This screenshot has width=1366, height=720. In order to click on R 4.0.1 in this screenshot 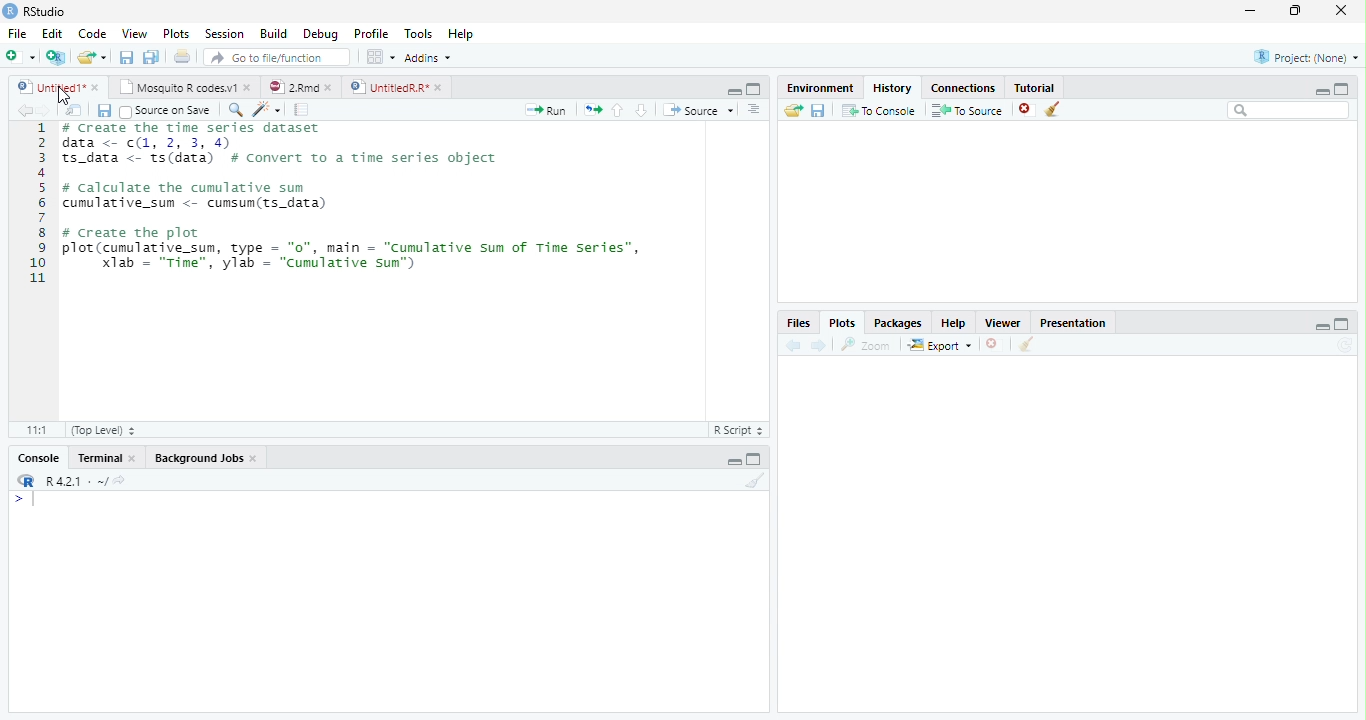, I will do `click(78, 479)`.